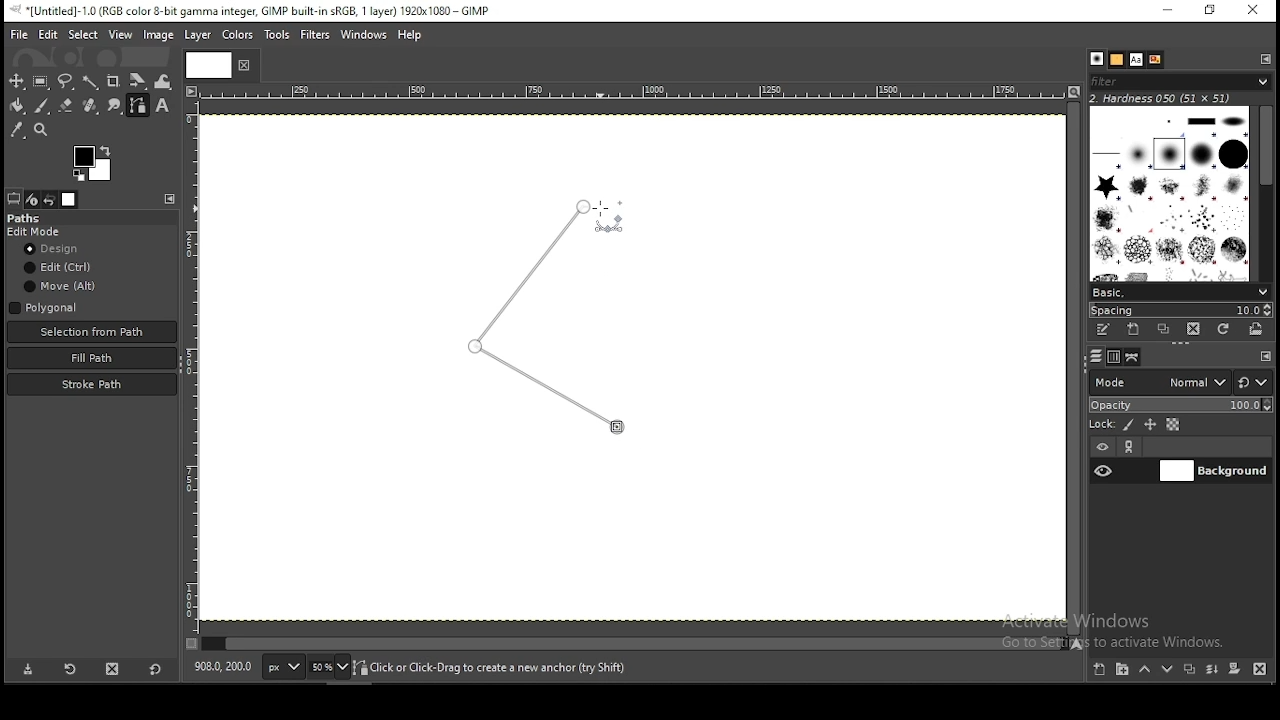 The width and height of the screenshot is (1280, 720). I want to click on close window, so click(1254, 11).